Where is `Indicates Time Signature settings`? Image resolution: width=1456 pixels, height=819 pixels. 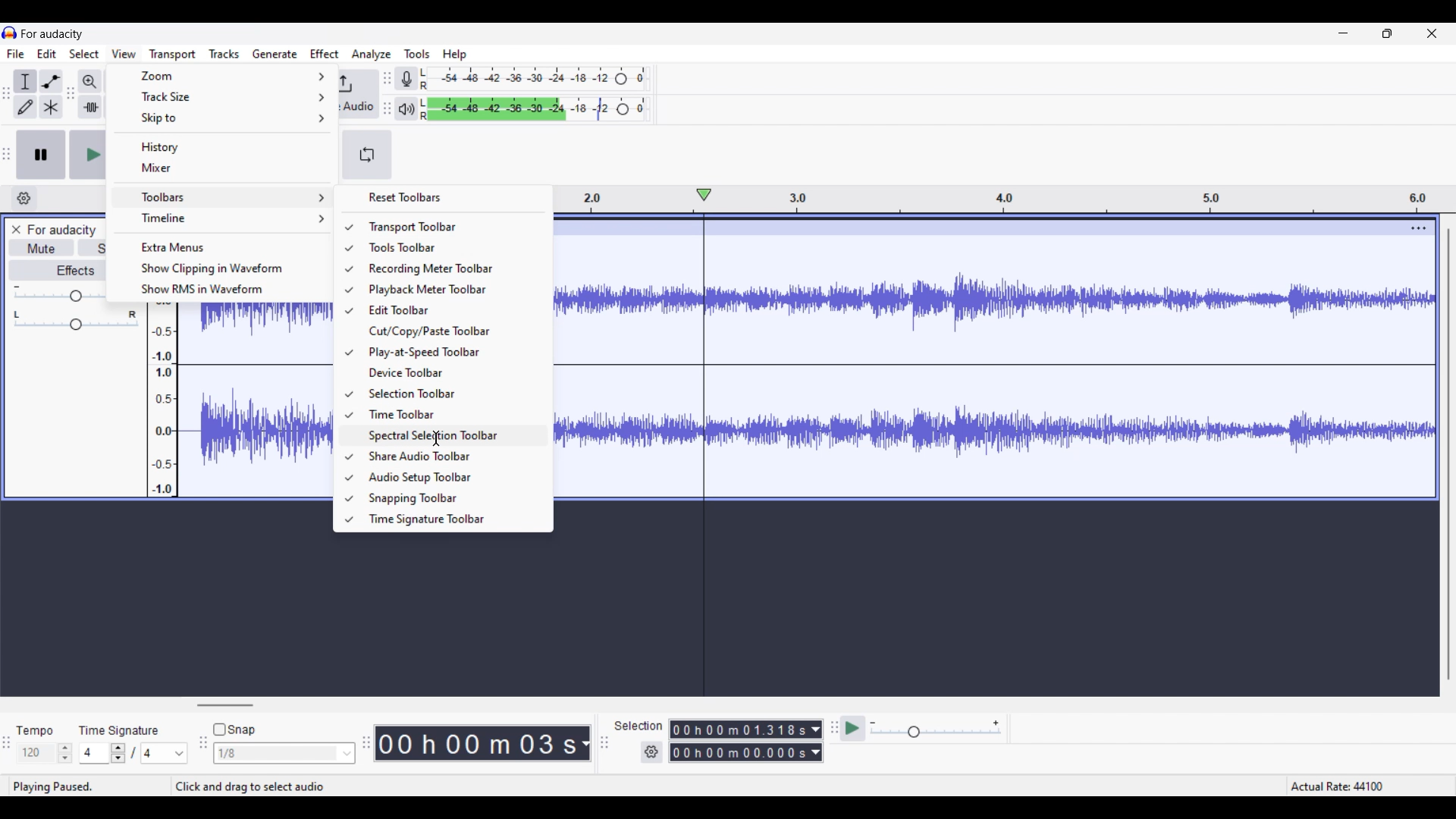 Indicates Time Signature settings is located at coordinates (119, 730).